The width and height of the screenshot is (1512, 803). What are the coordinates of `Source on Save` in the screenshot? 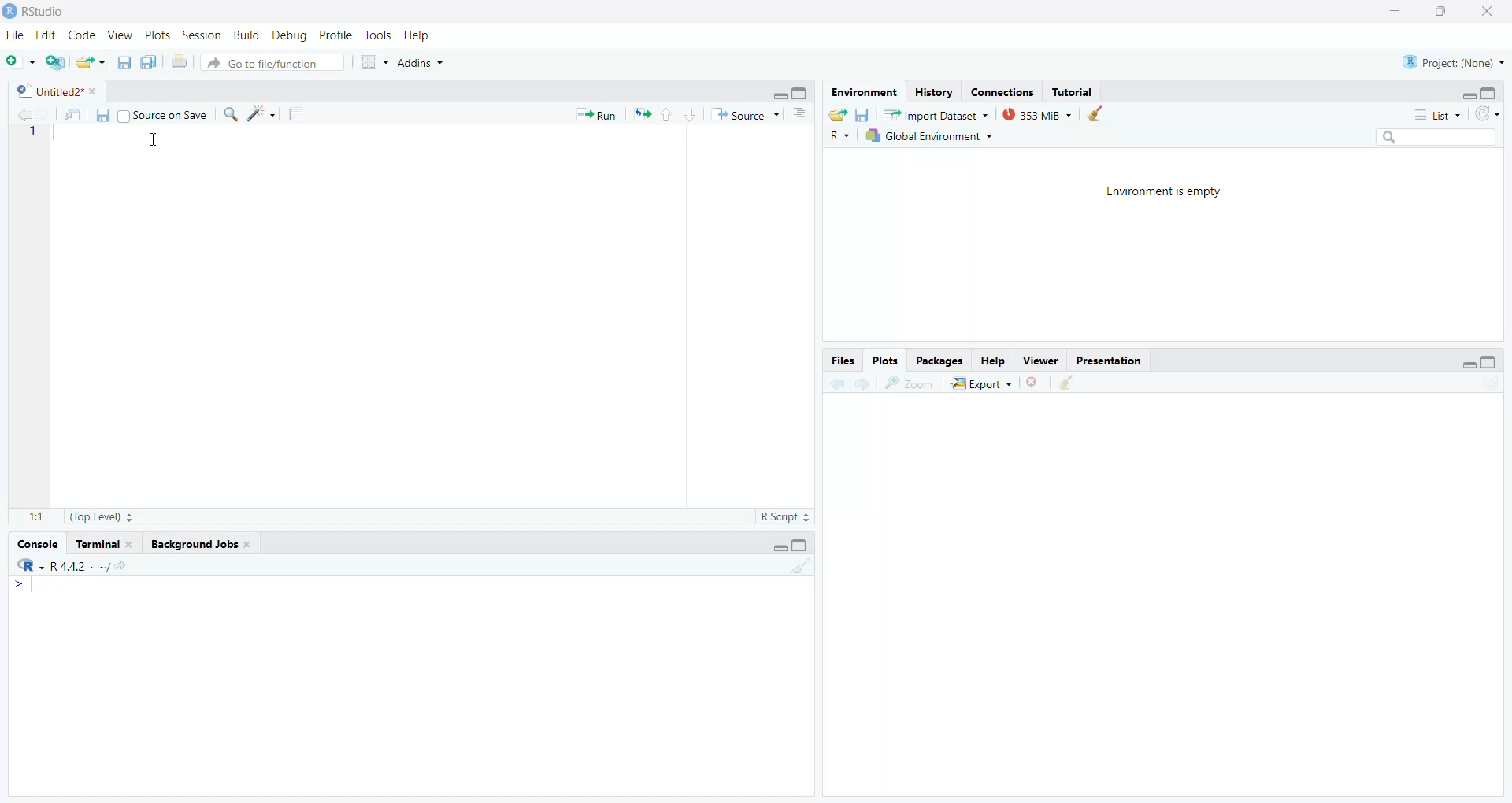 It's located at (164, 116).